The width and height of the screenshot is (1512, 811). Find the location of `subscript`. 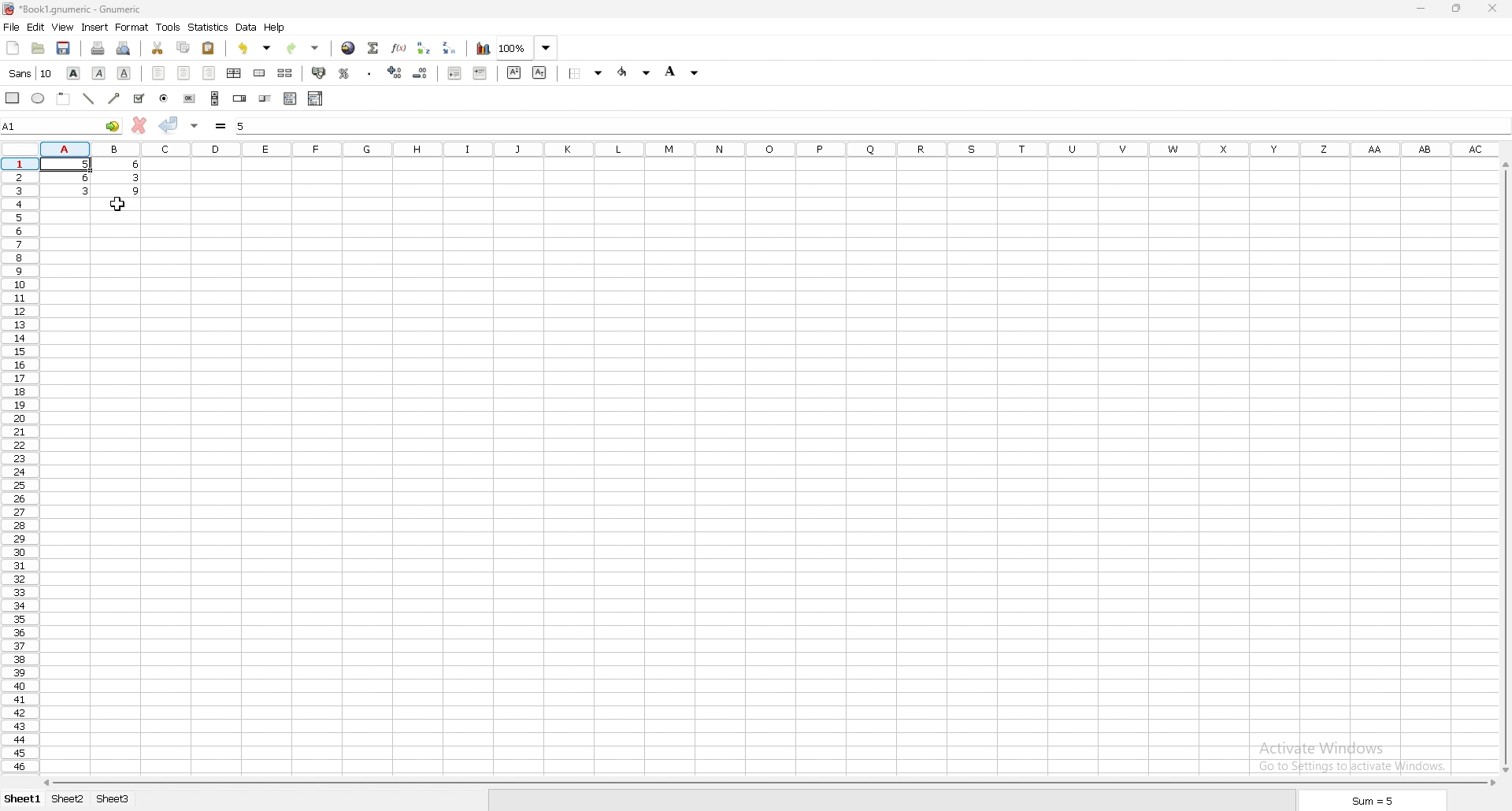

subscript is located at coordinates (539, 72).